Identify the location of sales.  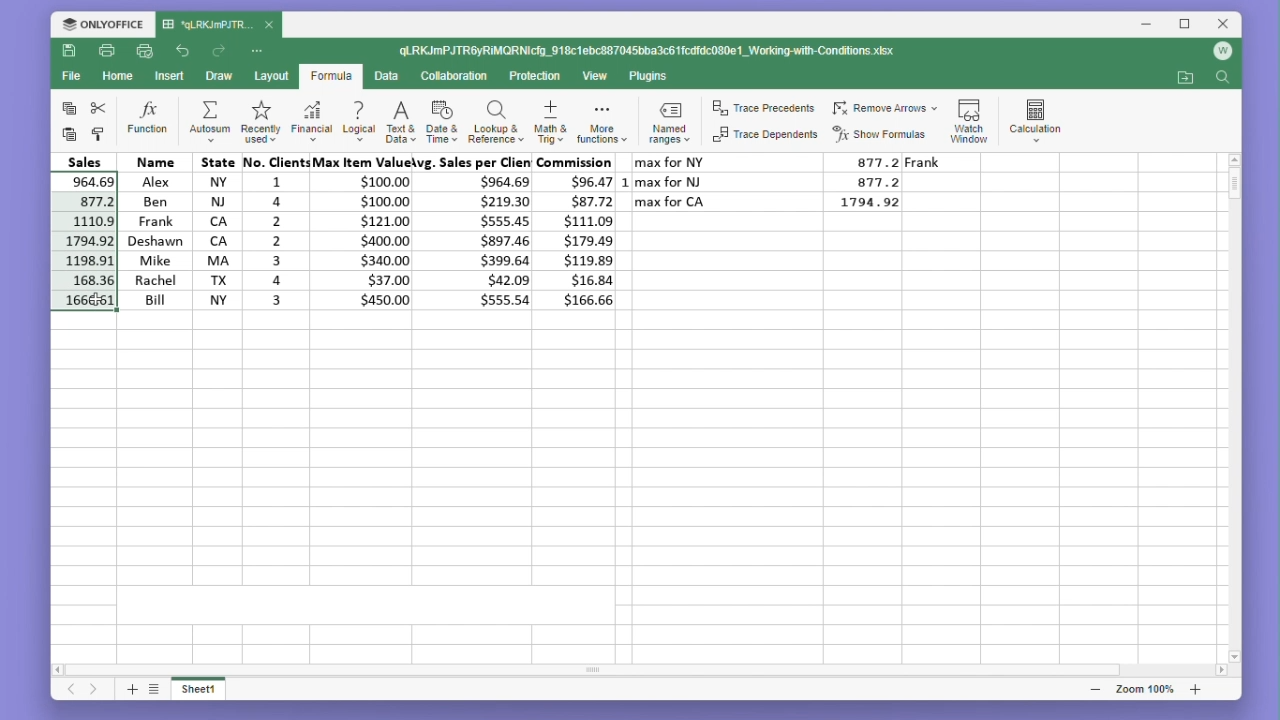
(88, 160).